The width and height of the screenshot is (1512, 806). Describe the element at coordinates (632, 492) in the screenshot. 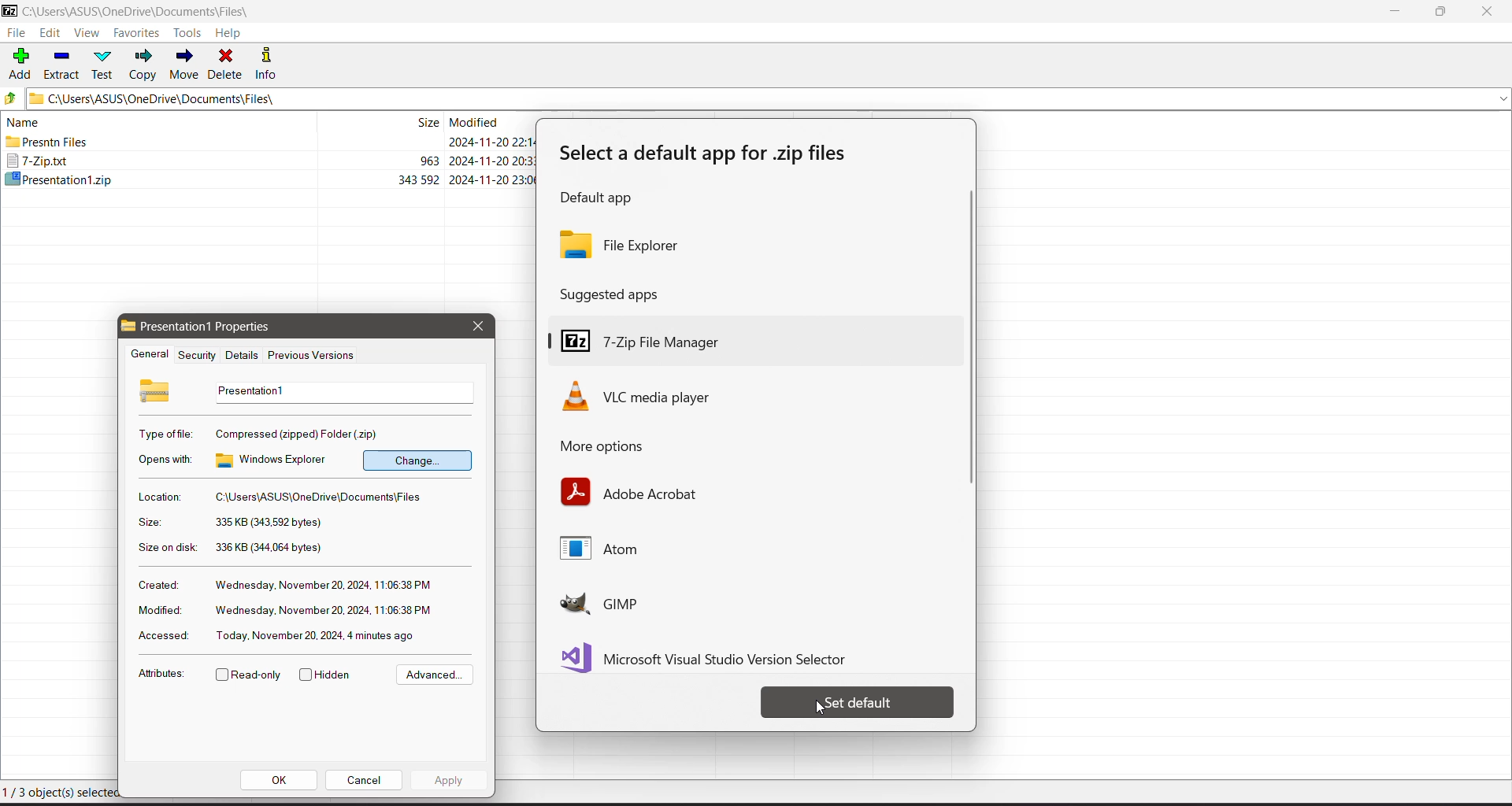

I see `Adobe Acrobat` at that location.